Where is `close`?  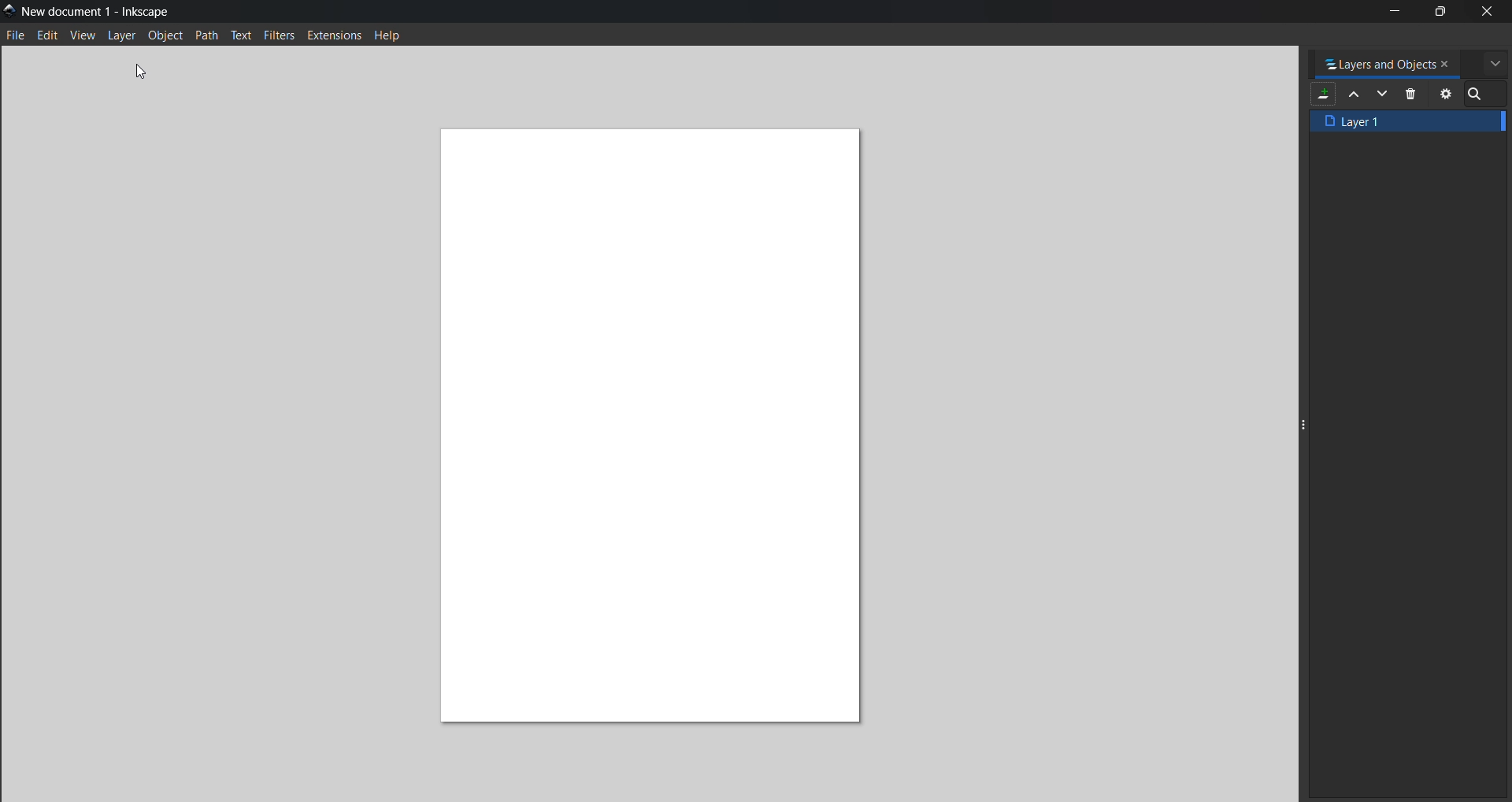 close is located at coordinates (1494, 12).